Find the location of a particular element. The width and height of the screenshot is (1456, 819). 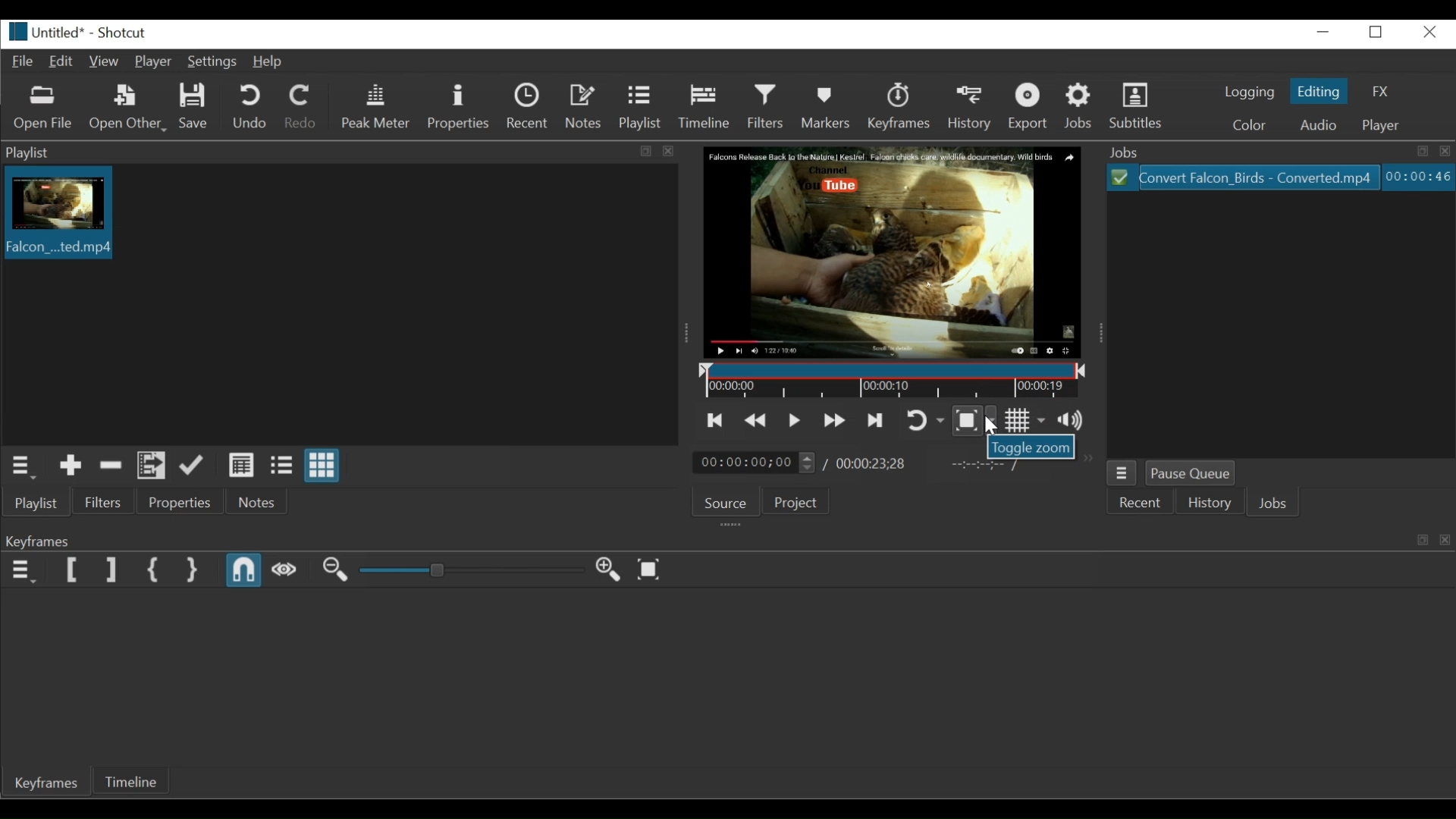

Export is located at coordinates (1028, 107).